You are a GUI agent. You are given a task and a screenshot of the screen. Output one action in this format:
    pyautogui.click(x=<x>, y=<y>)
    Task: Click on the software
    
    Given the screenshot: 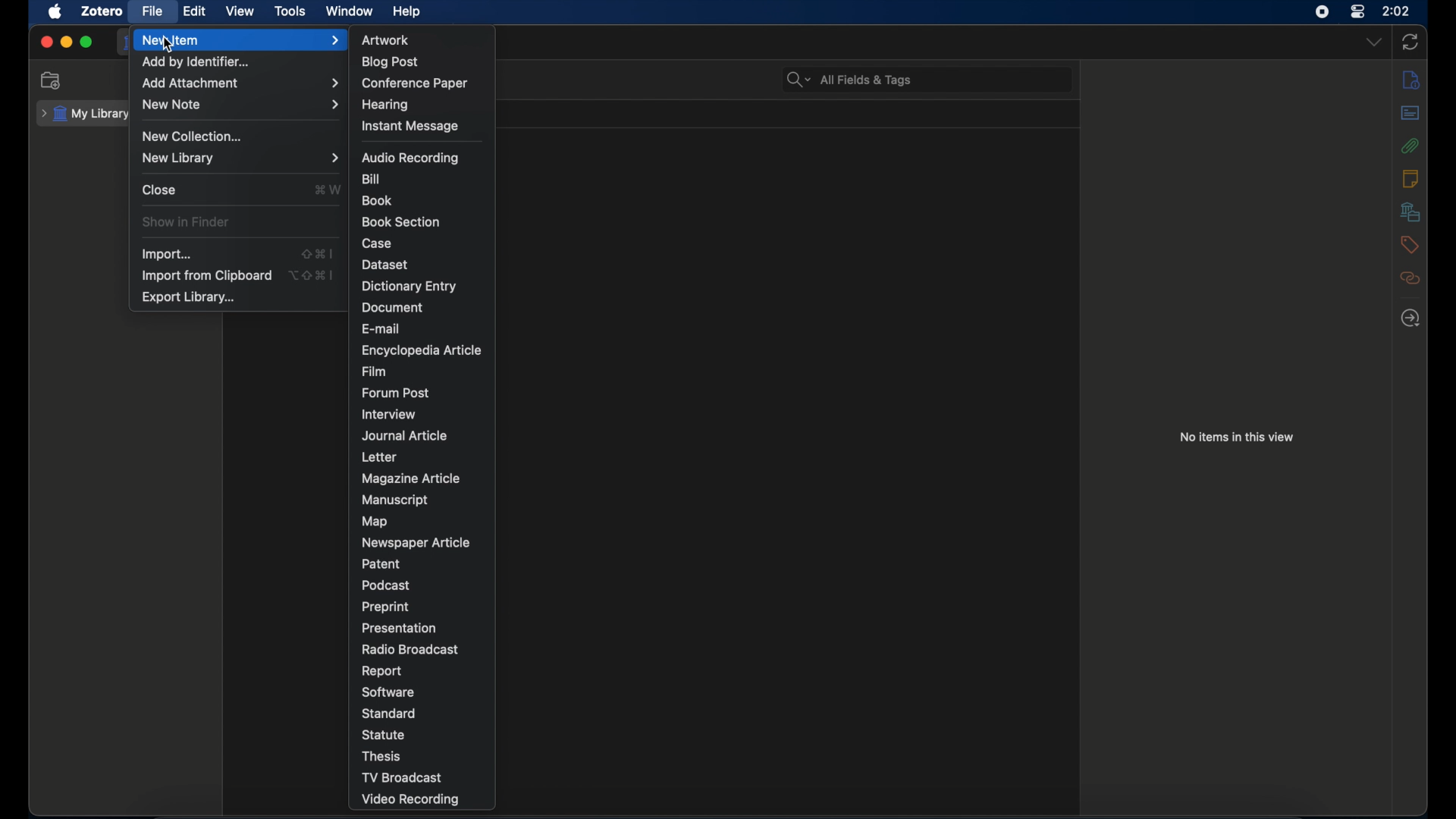 What is the action you would take?
    pyautogui.click(x=390, y=692)
    